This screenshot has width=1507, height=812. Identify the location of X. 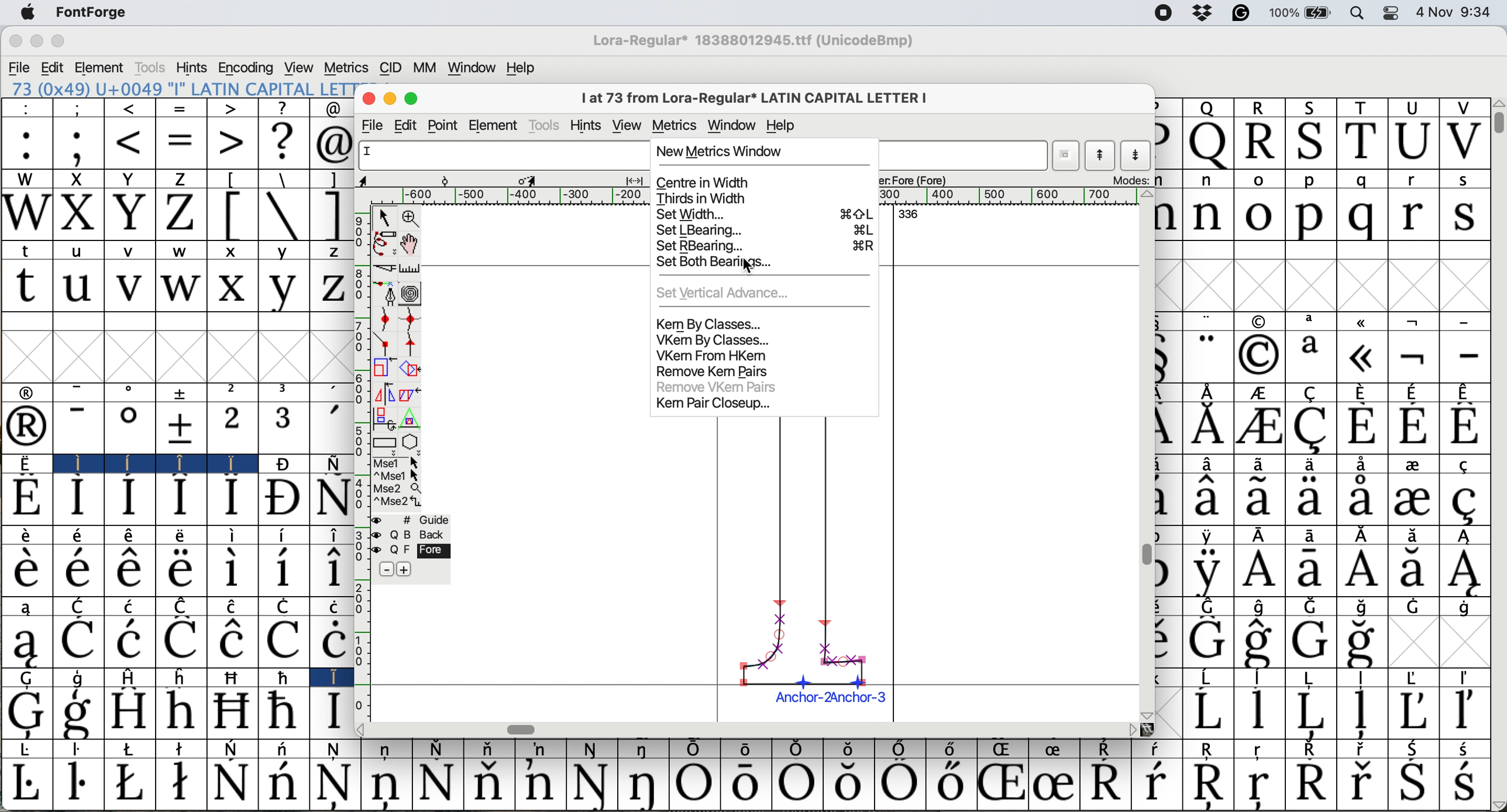
(77, 179).